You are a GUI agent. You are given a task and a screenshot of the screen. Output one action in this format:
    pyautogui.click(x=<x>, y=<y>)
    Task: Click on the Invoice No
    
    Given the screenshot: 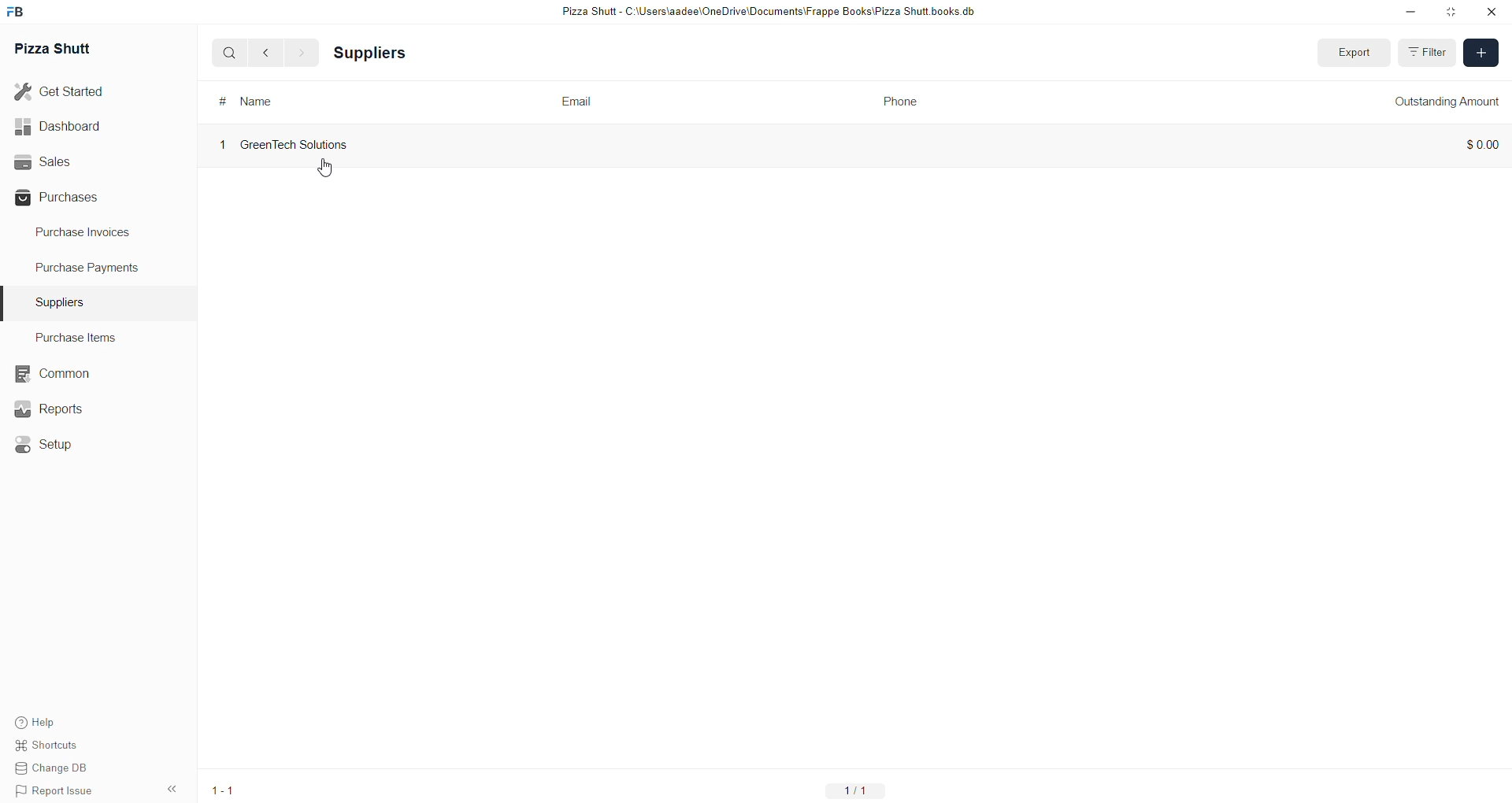 What is the action you would take?
    pyautogui.click(x=255, y=101)
    